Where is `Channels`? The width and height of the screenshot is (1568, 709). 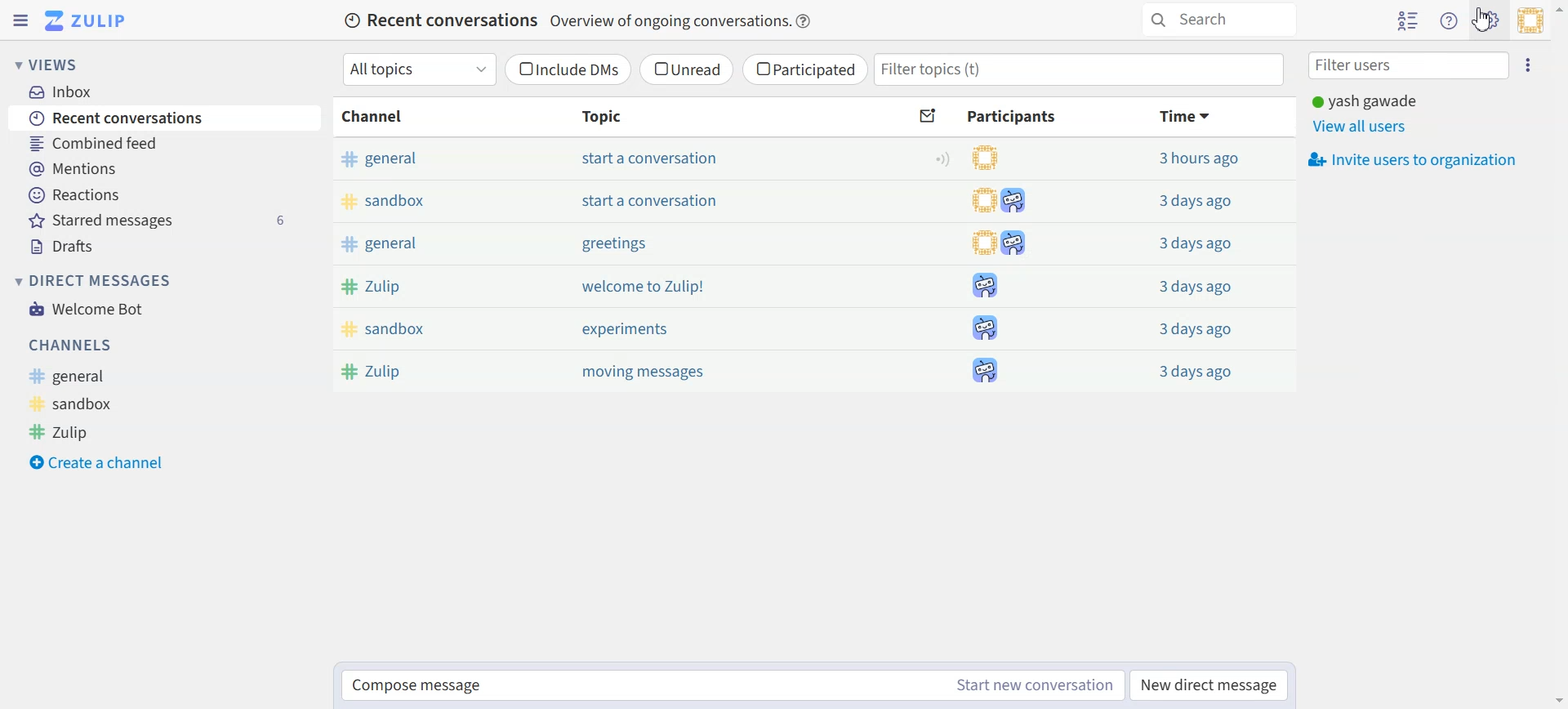
Channels is located at coordinates (69, 346).